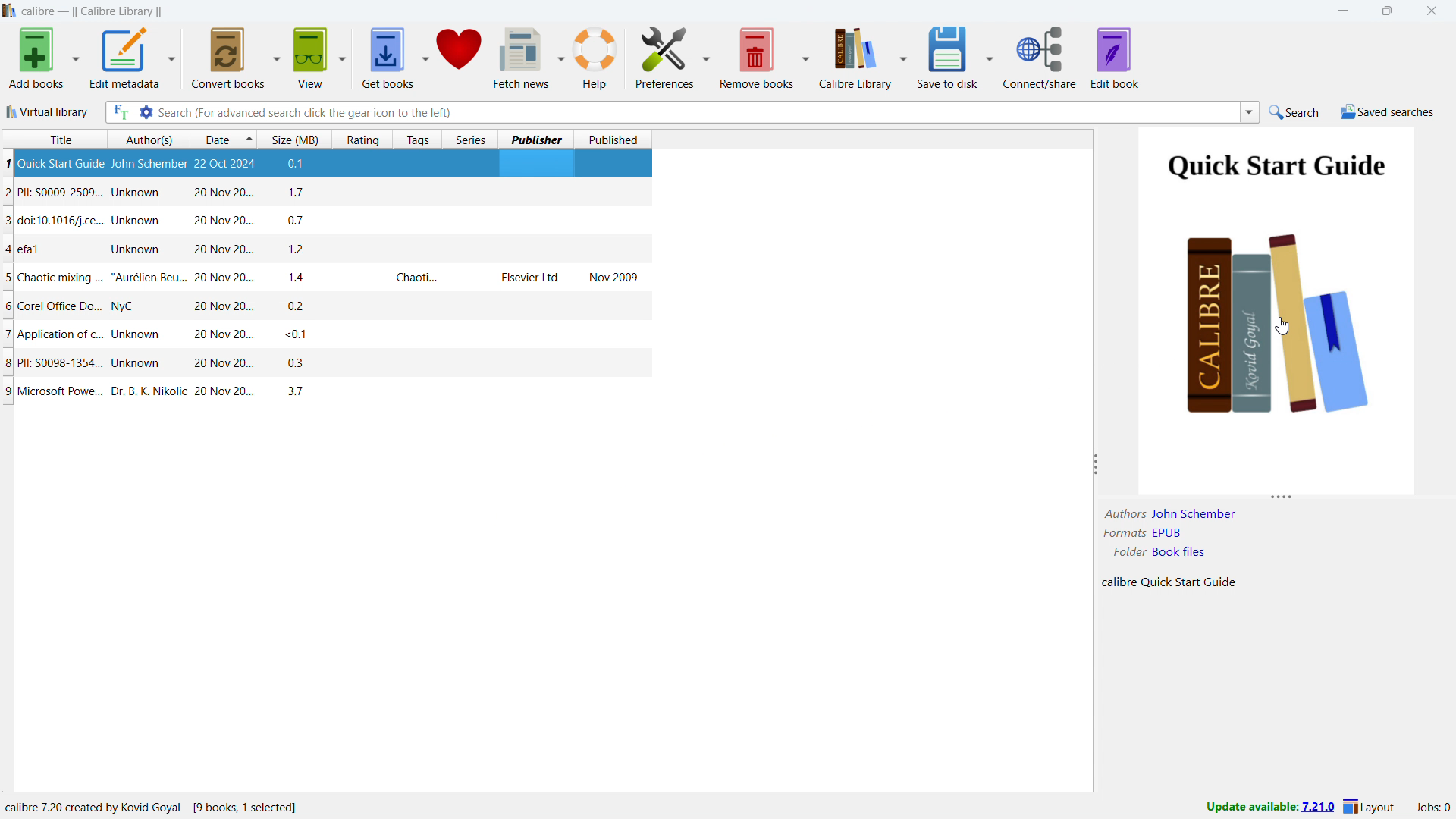 The image size is (1456, 819). I want to click on 20 Nov 20.., so click(225, 279).